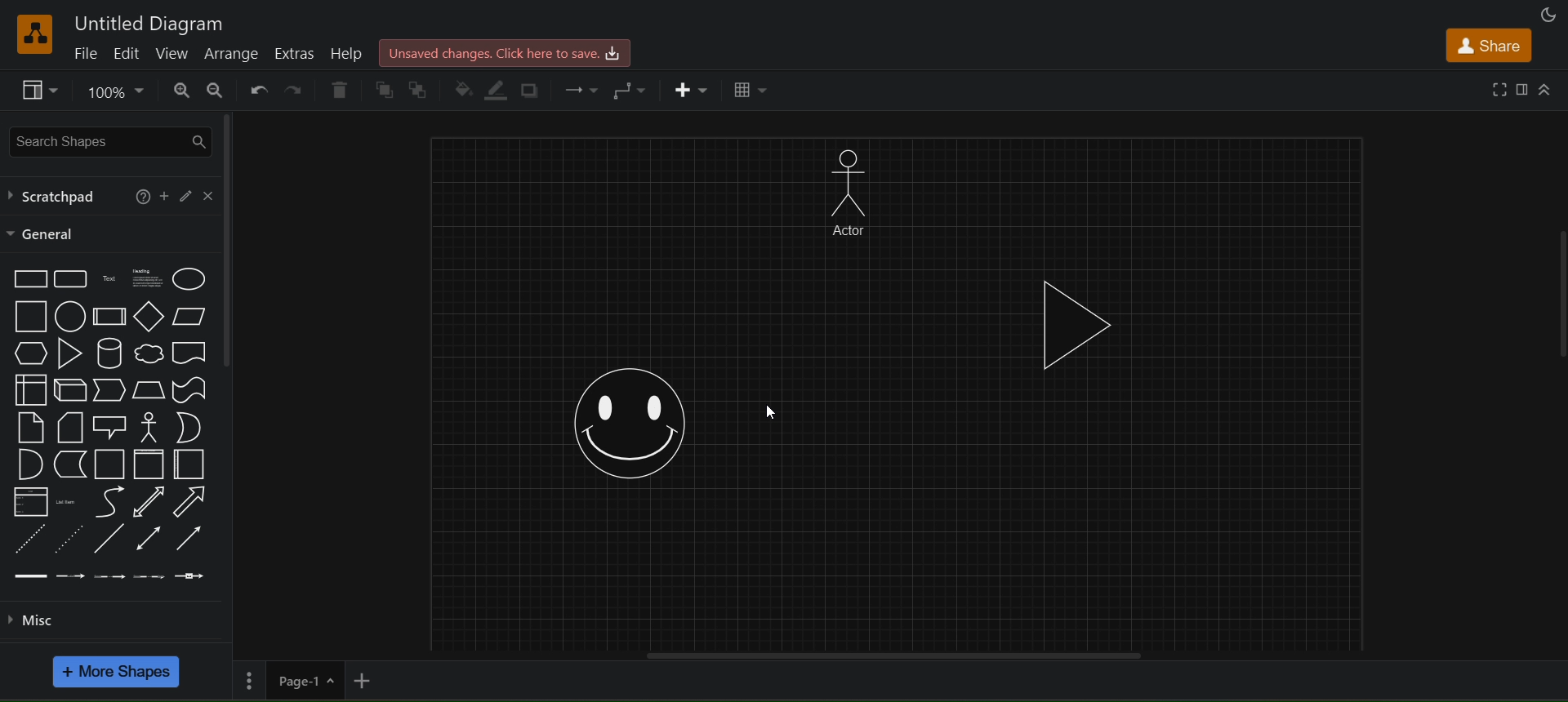 The width and height of the screenshot is (1568, 702). I want to click on step, so click(110, 390).